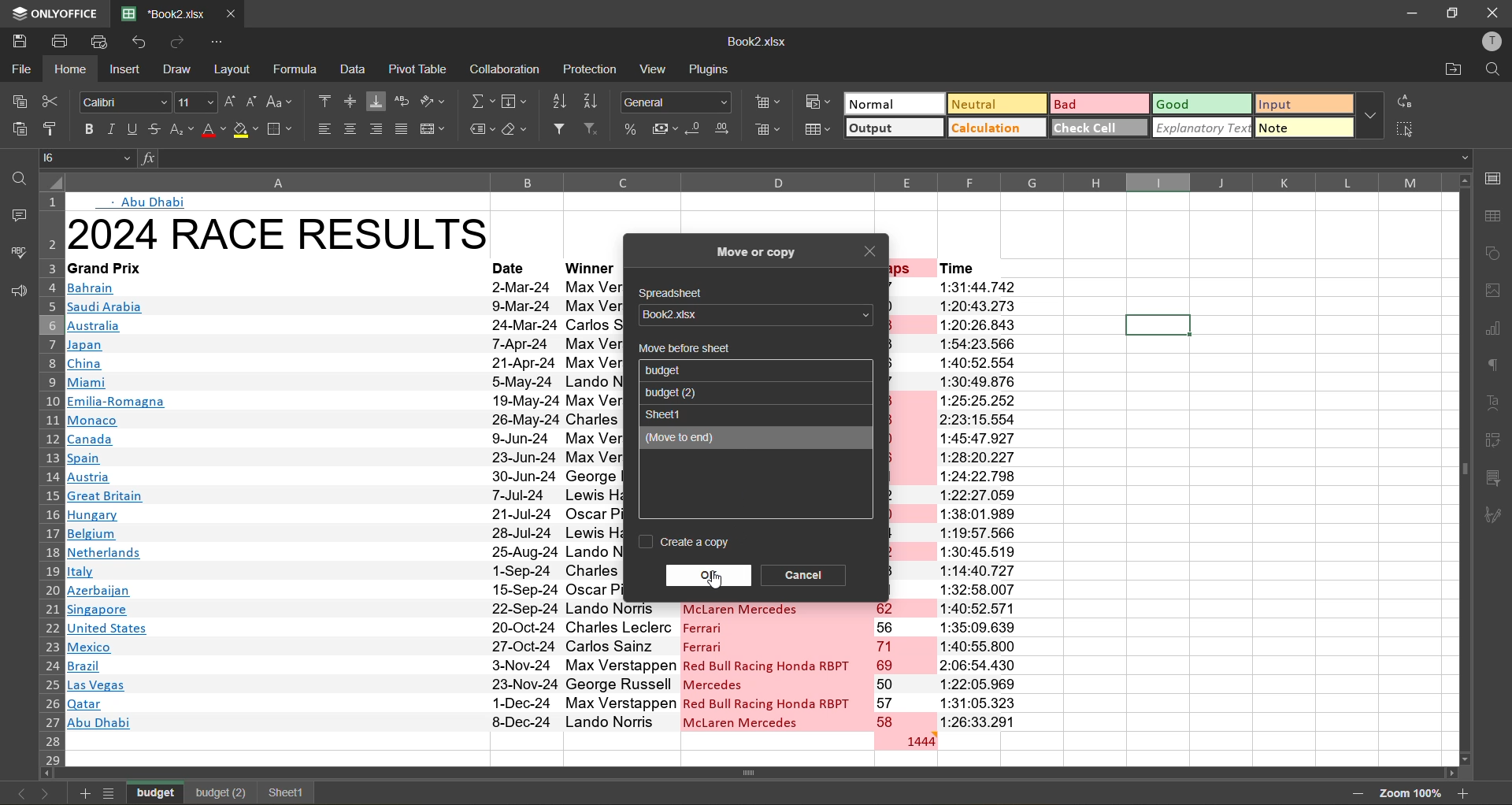 The height and width of the screenshot is (805, 1512). Describe the element at coordinates (1303, 126) in the screenshot. I see `note` at that location.